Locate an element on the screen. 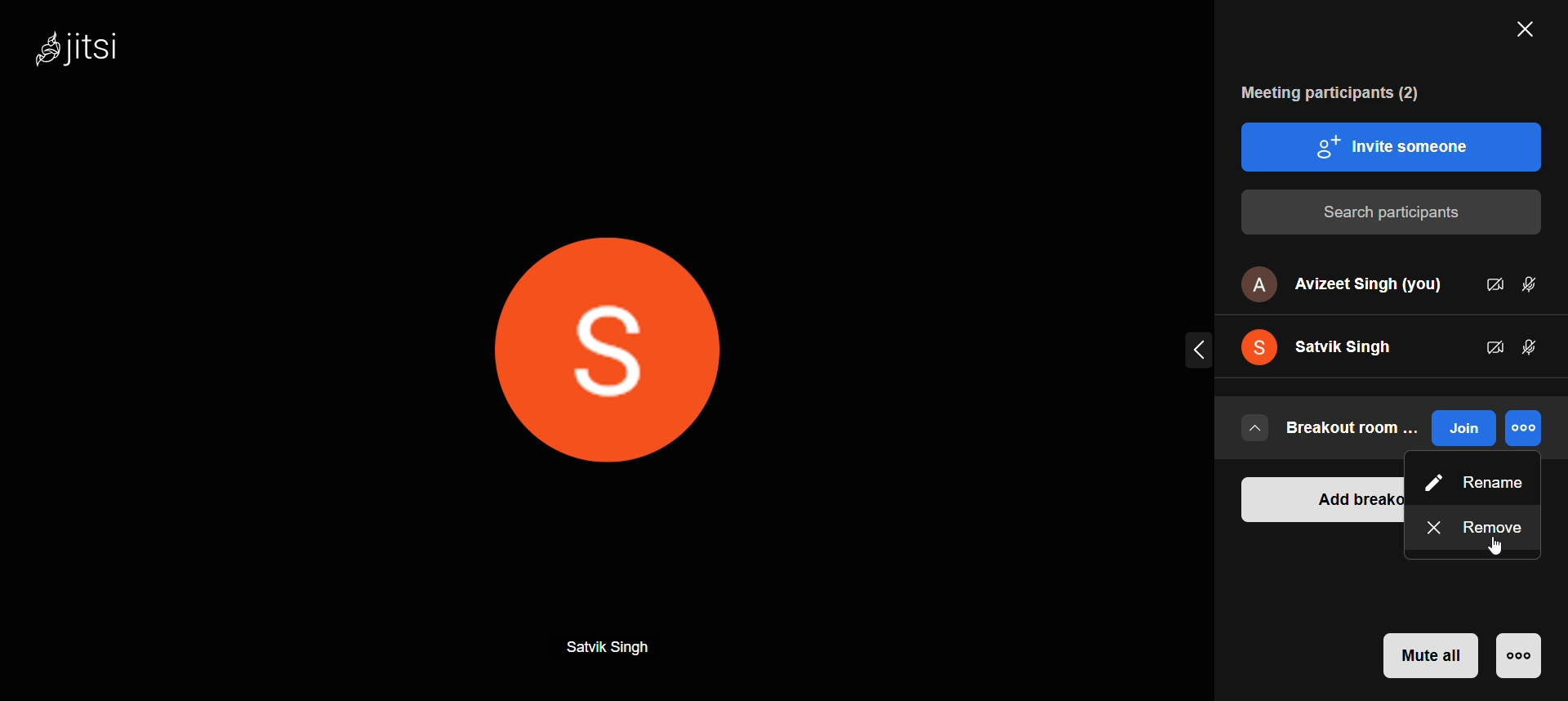 The image size is (1568, 701). Sarvik Sigh is located at coordinates (612, 646).